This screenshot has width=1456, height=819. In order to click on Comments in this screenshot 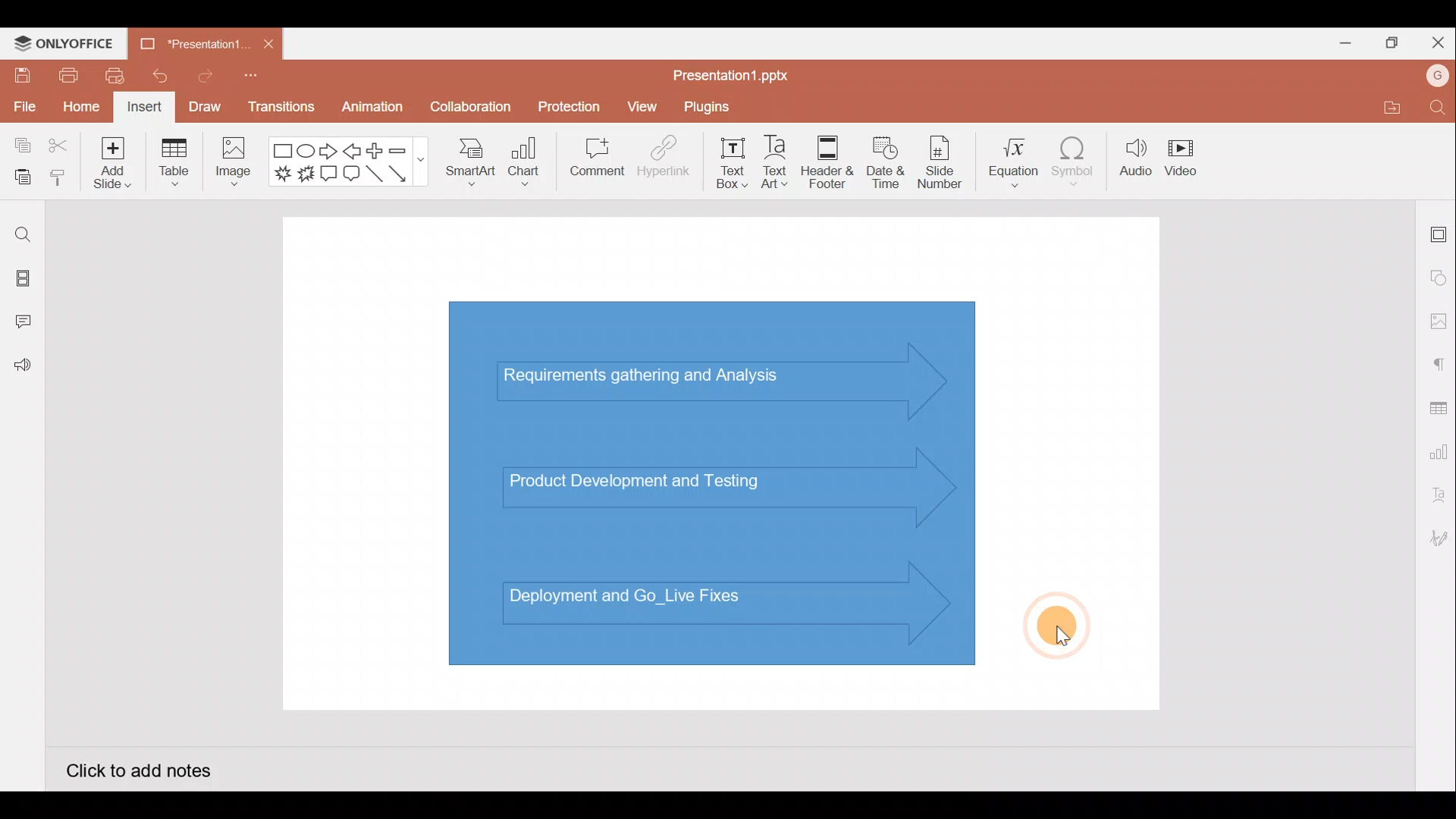, I will do `click(27, 323)`.